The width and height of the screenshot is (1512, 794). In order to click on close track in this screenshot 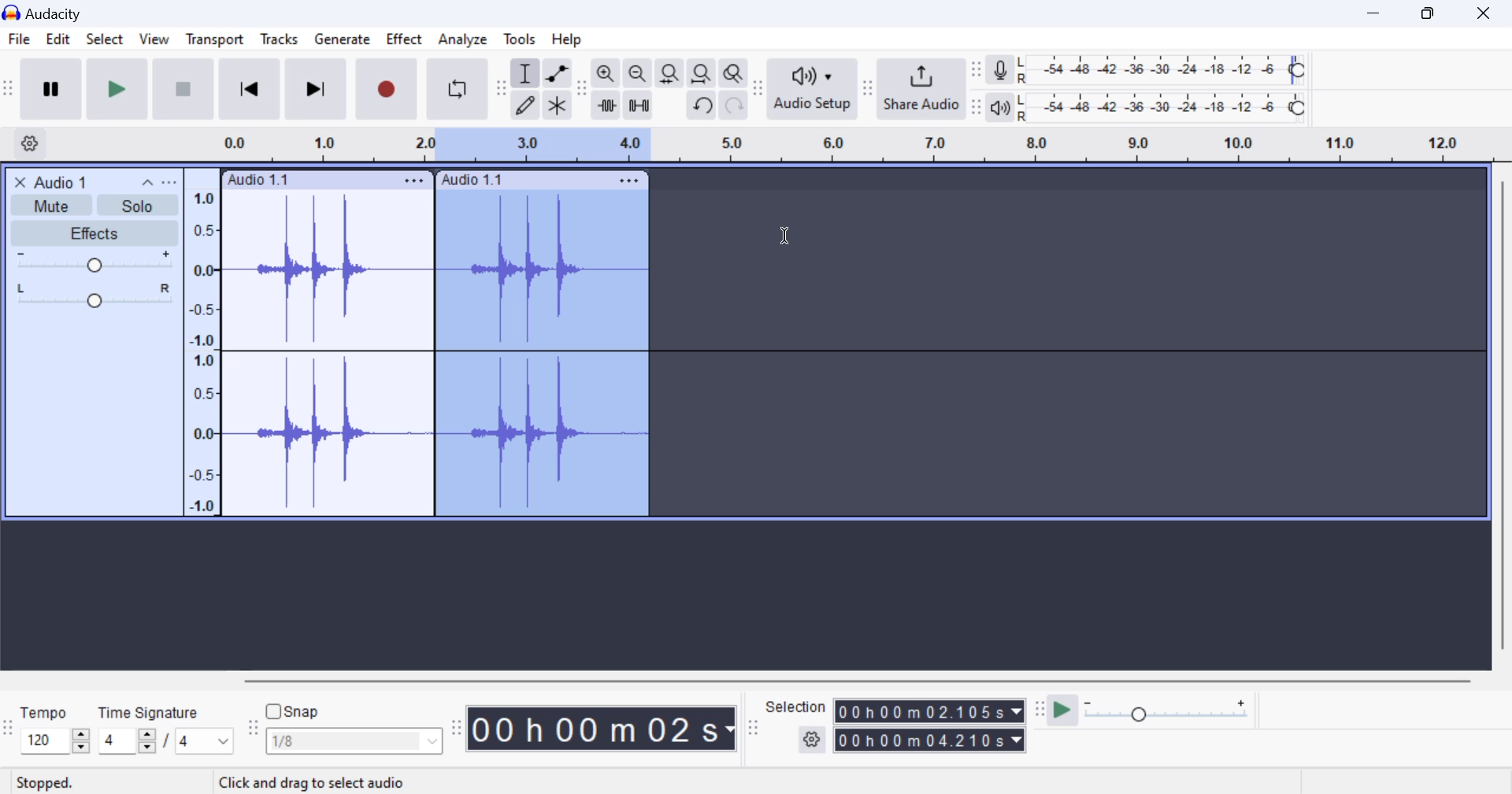, I will do `click(20, 181)`.